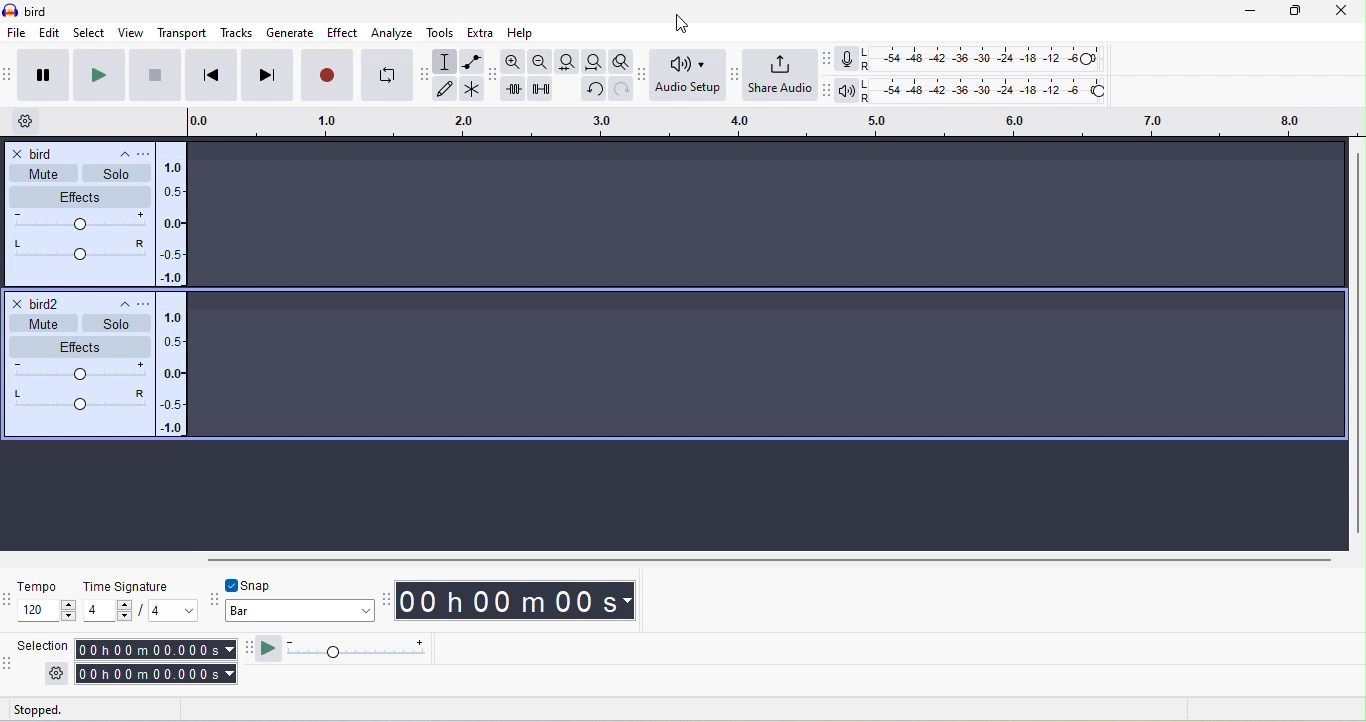  What do you see at coordinates (155, 649) in the screenshot?
I see `00 h 00 m 00.000 s` at bounding box center [155, 649].